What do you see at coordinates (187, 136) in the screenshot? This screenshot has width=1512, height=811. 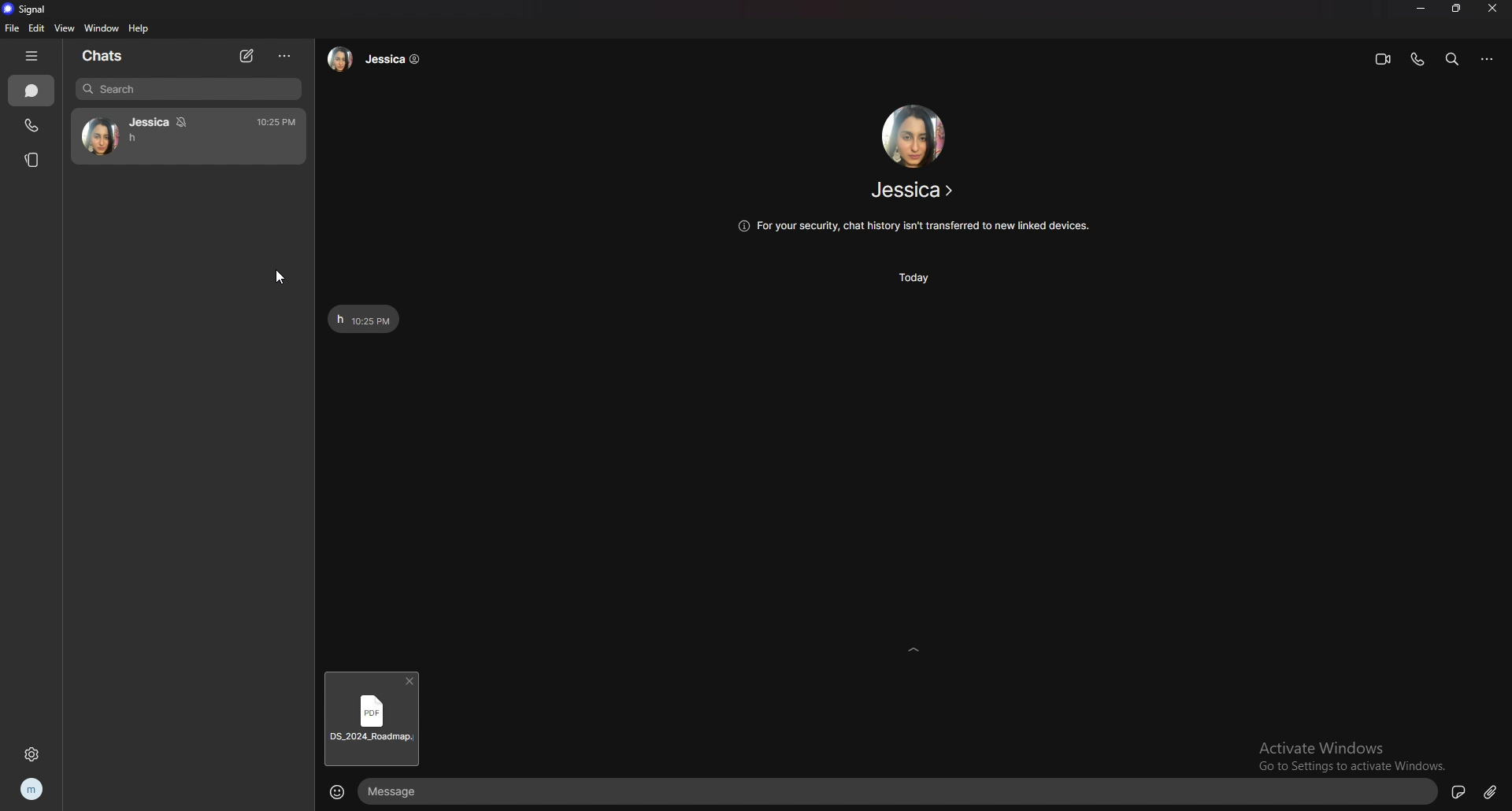 I see `chat` at bounding box center [187, 136].